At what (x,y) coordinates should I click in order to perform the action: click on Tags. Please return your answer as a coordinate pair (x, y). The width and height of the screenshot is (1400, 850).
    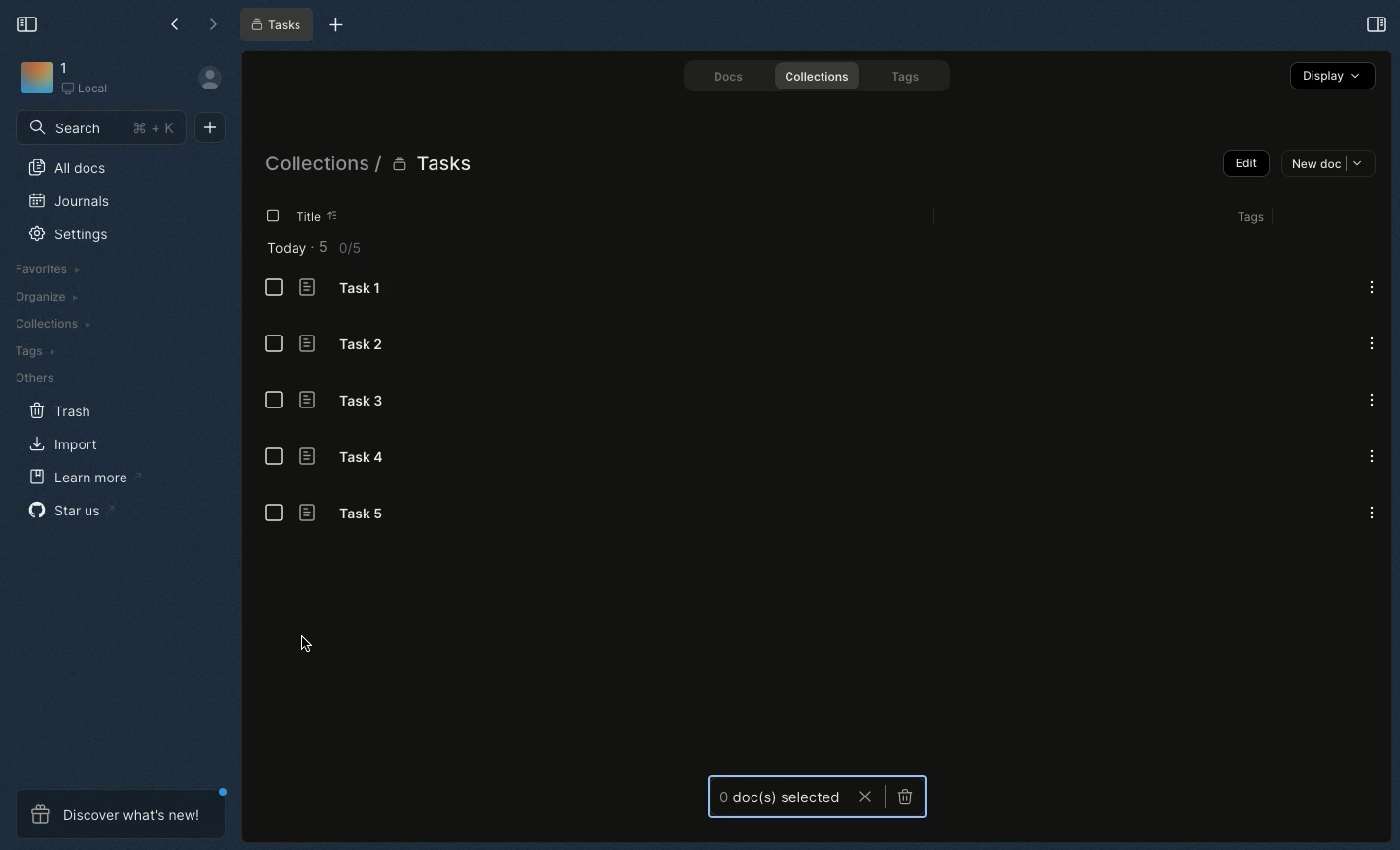
    Looking at the image, I should click on (30, 350).